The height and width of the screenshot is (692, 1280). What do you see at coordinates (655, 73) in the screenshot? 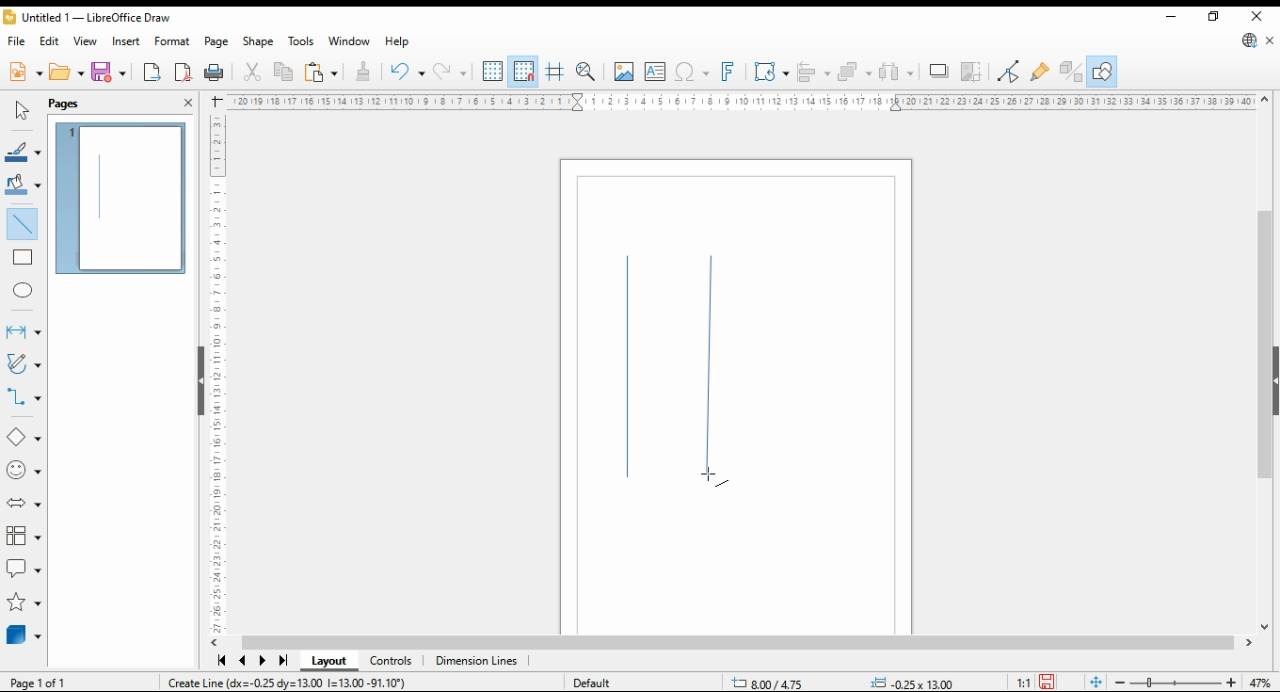
I see `insert textbox` at bounding box center [655, 73].